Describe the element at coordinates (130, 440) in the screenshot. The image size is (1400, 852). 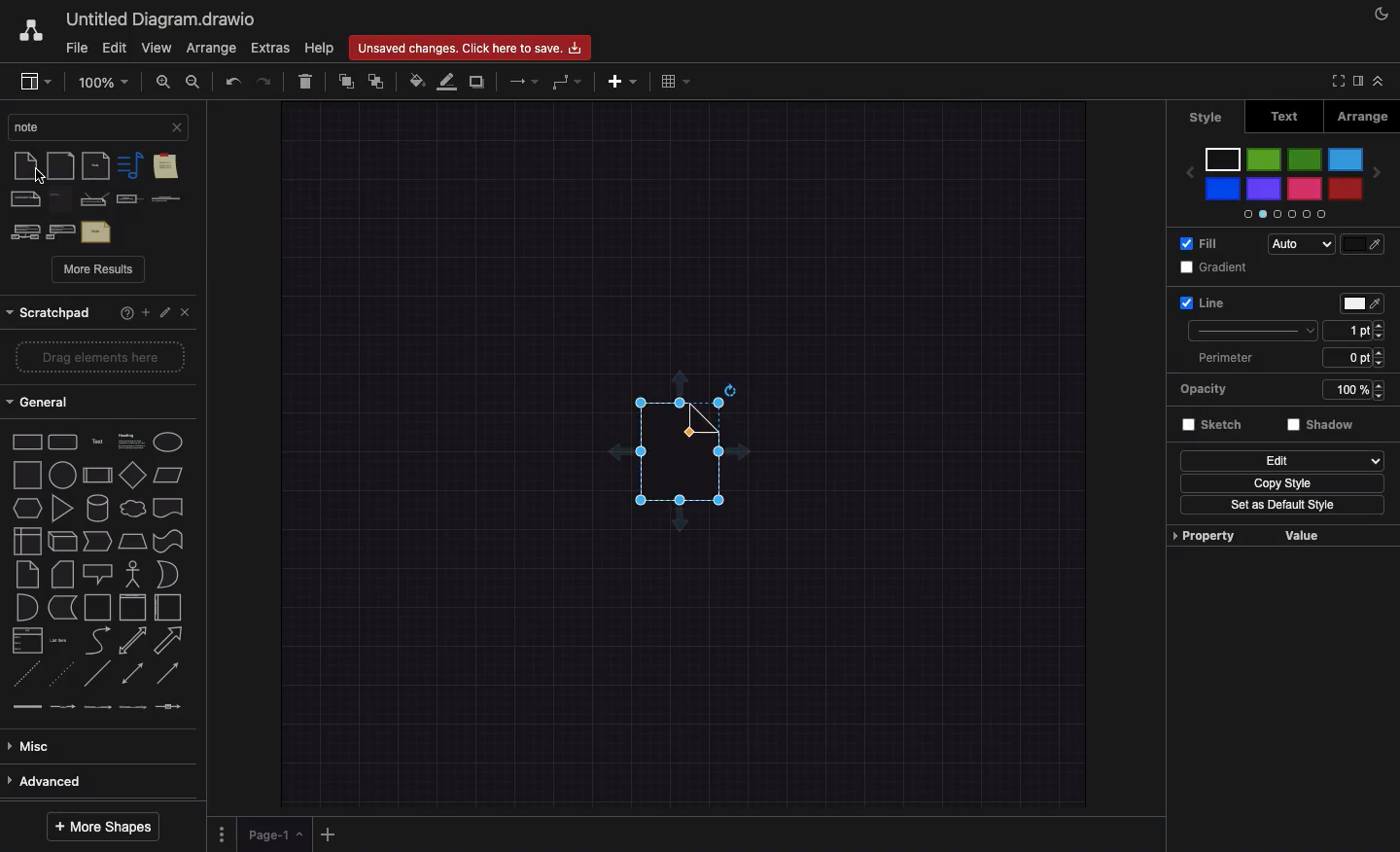
I see `heading` at that location.